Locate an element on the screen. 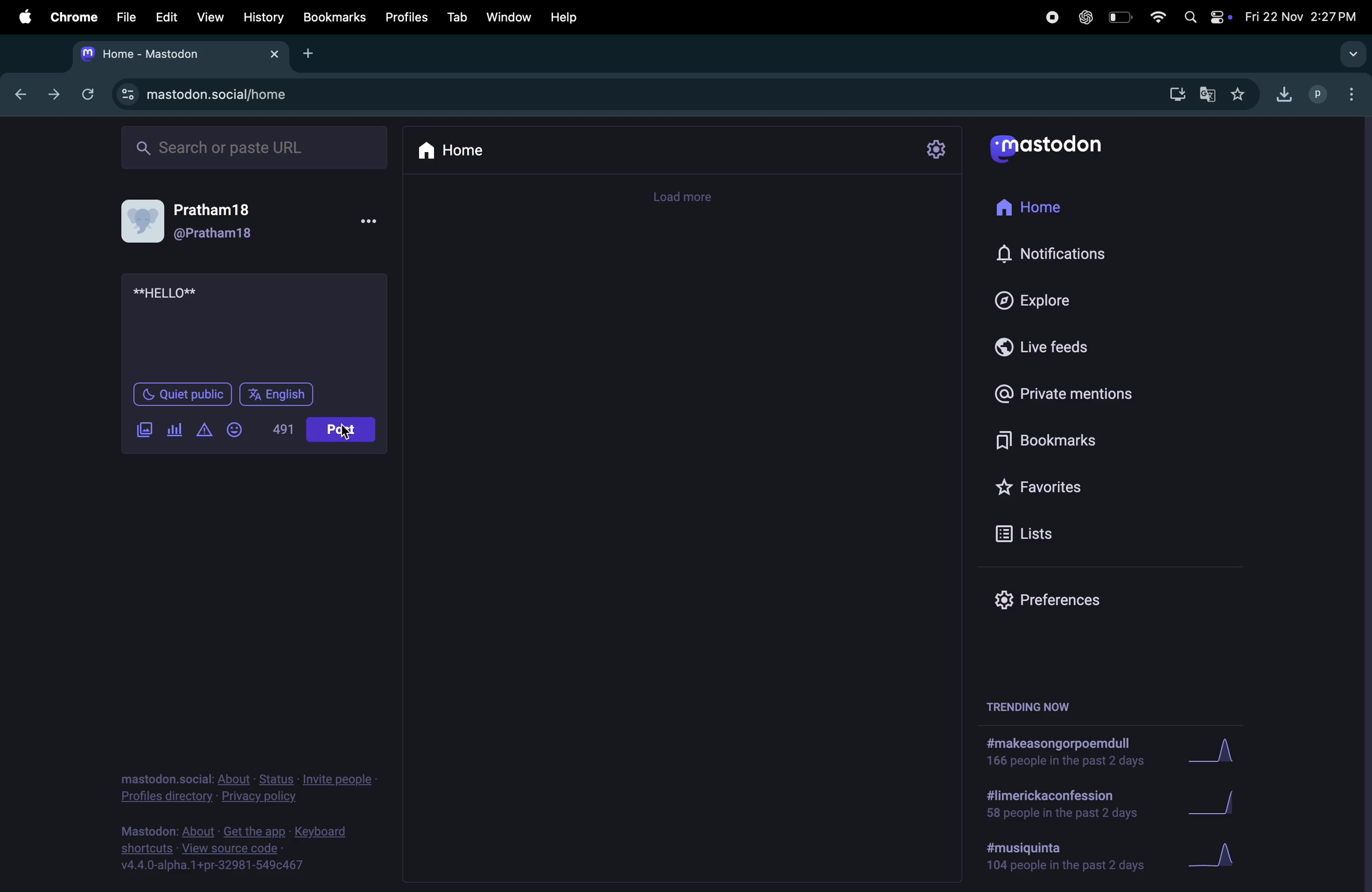 The image size is (1372, 892). hashtag is located at coordinates (1065, 858).